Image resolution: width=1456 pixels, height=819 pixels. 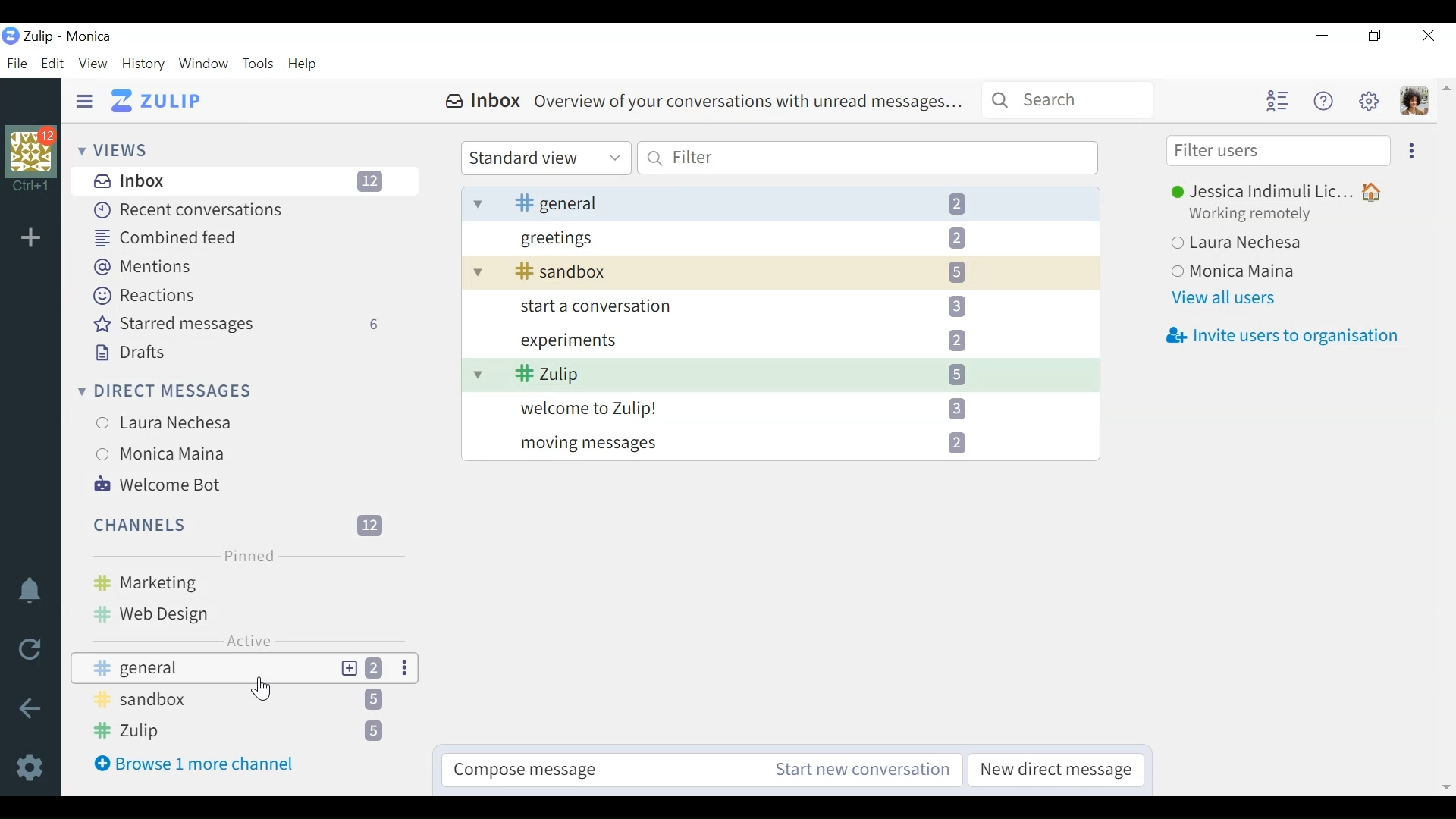 I want to click on Filter users, so click(x=1279, y=151).